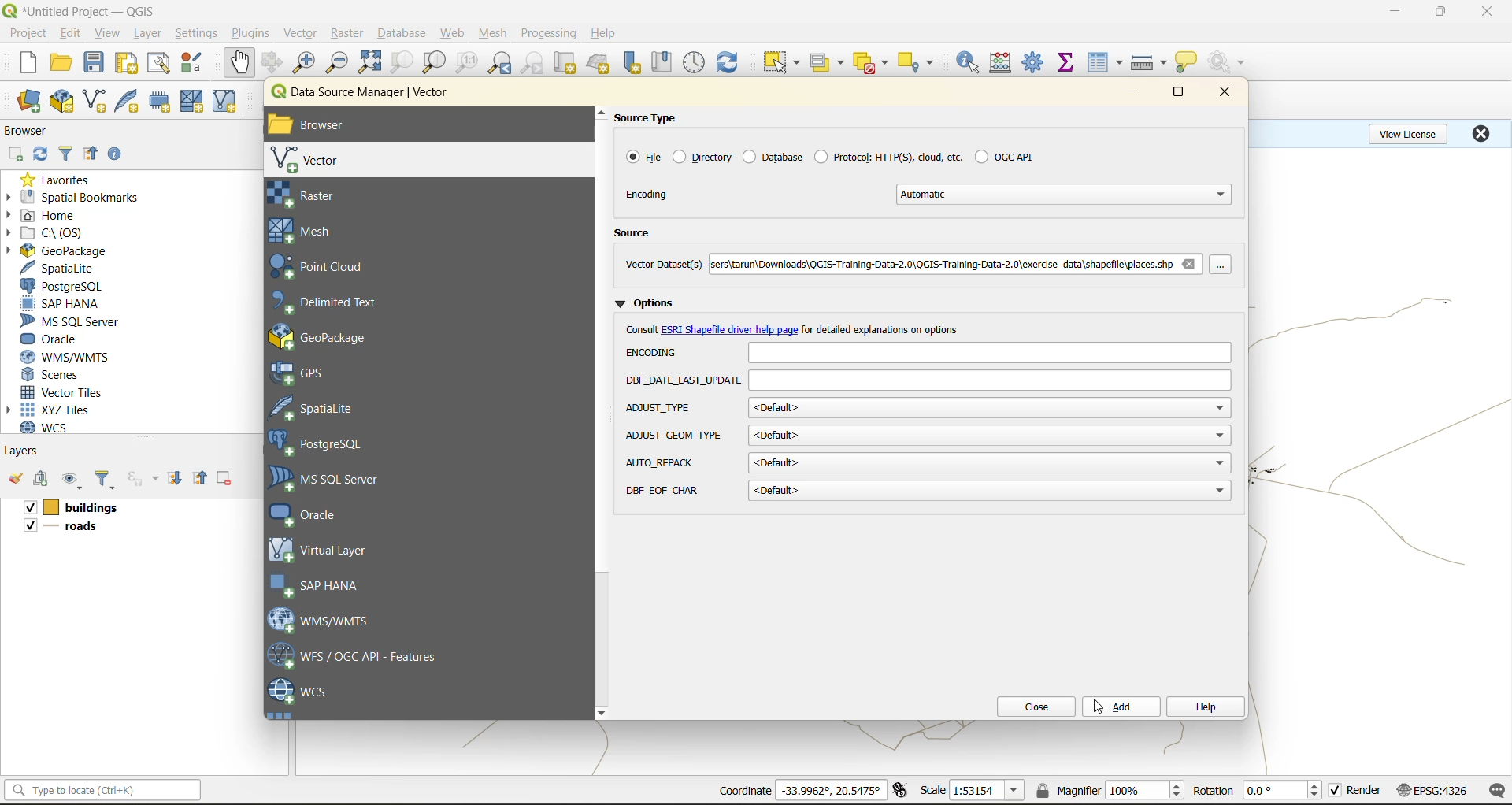 The height and width of the screenshot is (805, 1512). I want to click on database, so click(772, 156).